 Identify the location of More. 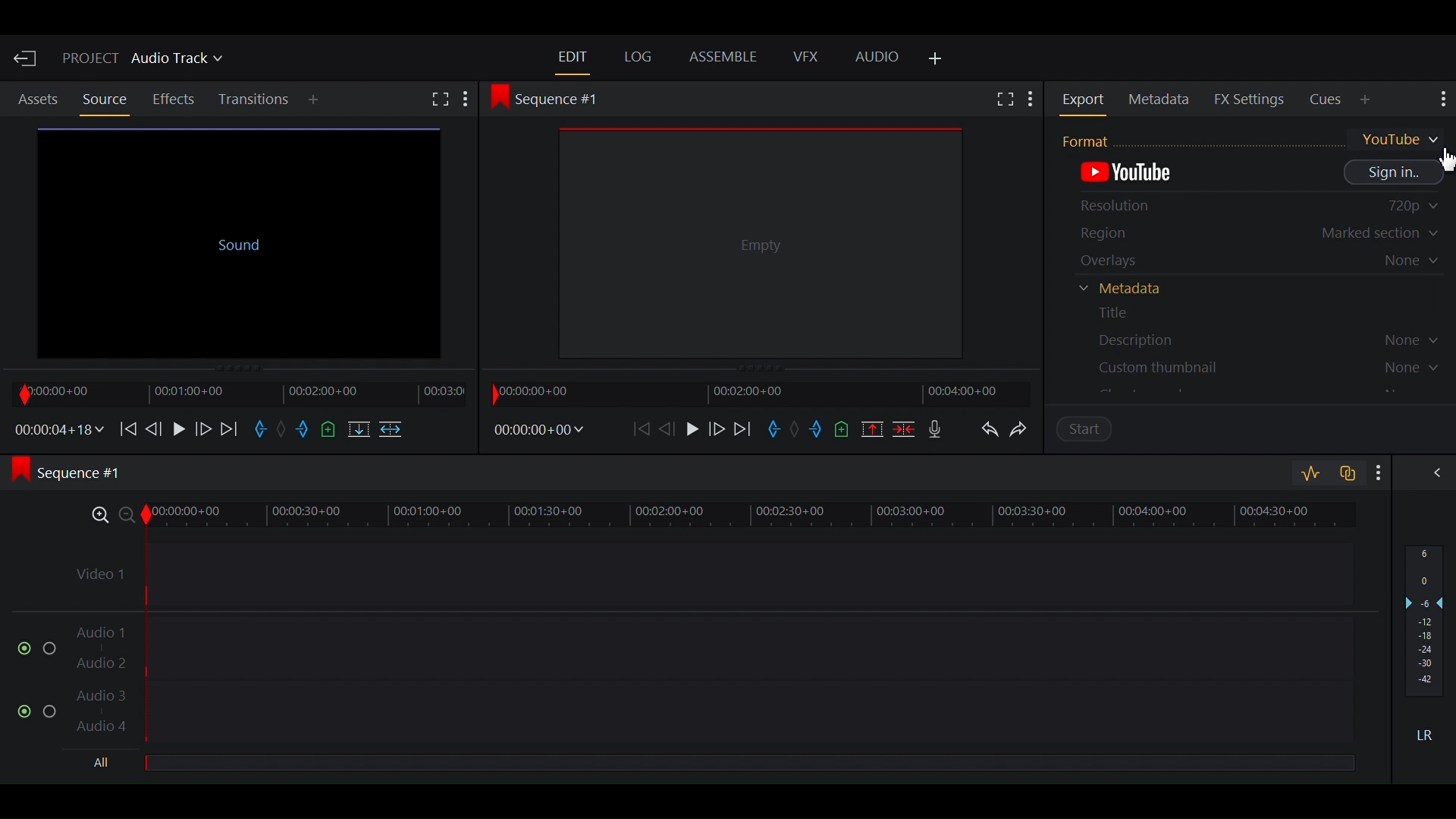
(471, 99).